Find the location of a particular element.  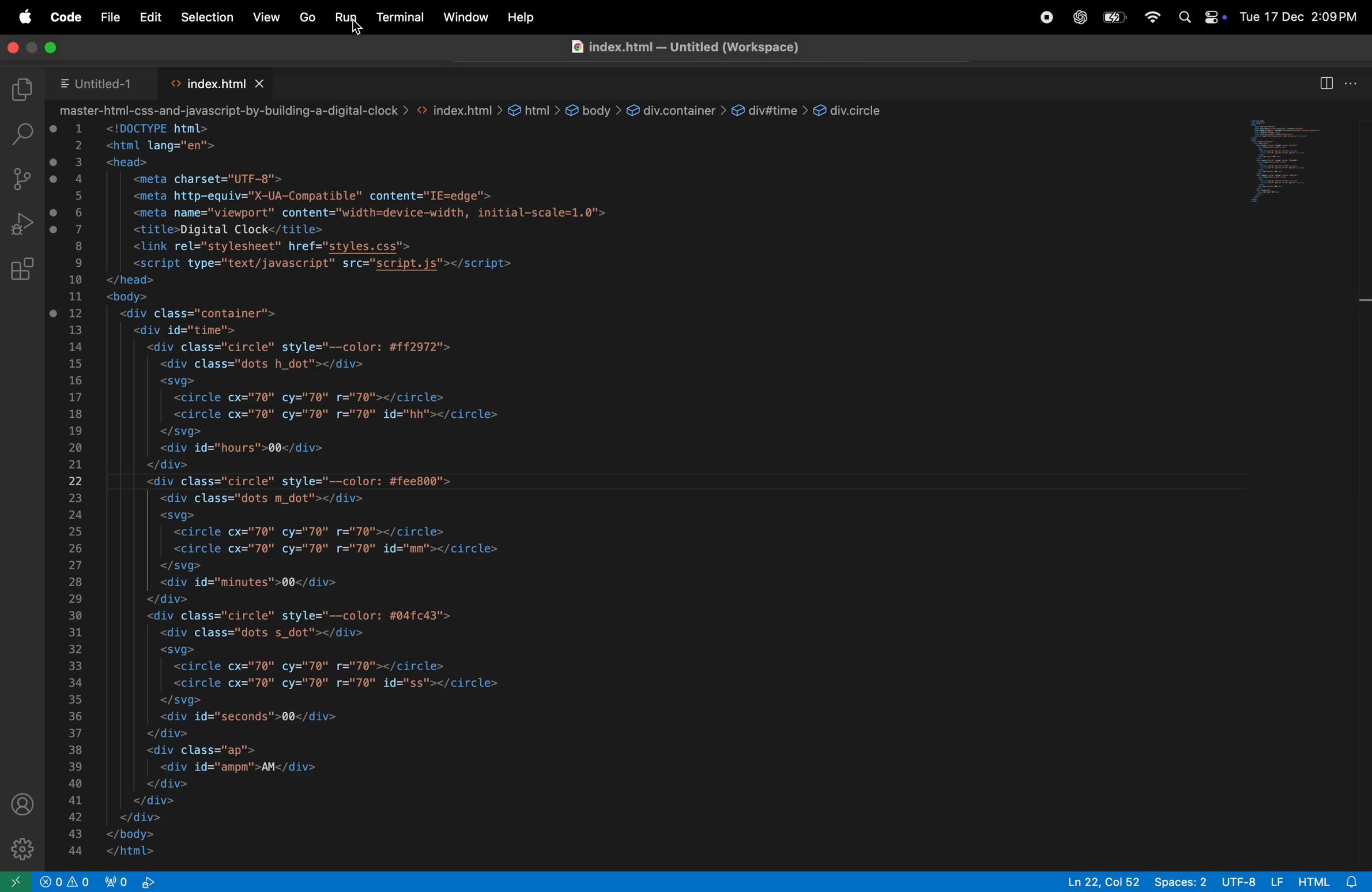

split editor is located at coordinates (1326, 81).